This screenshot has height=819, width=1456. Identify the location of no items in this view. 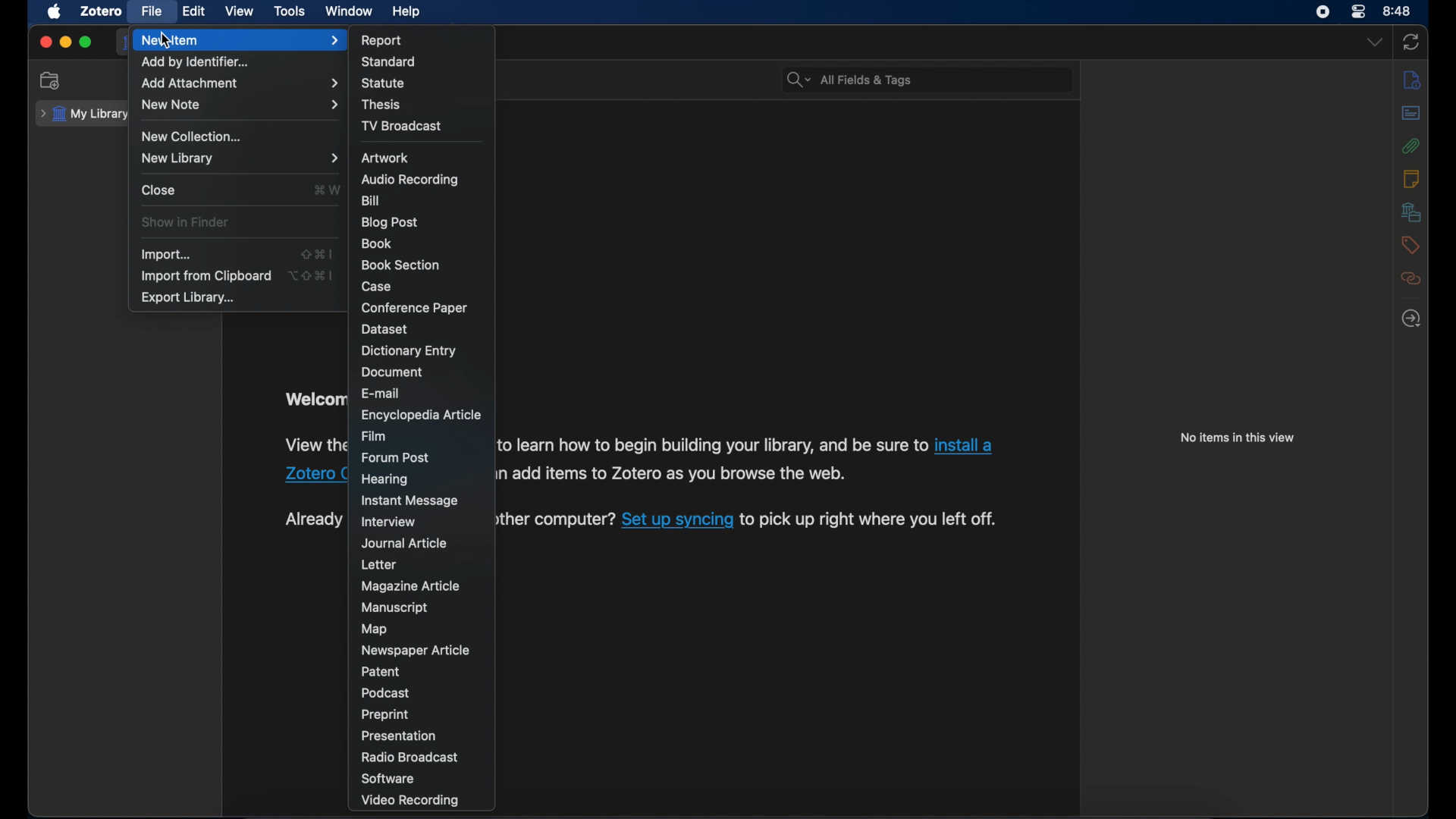
(1238, 437).